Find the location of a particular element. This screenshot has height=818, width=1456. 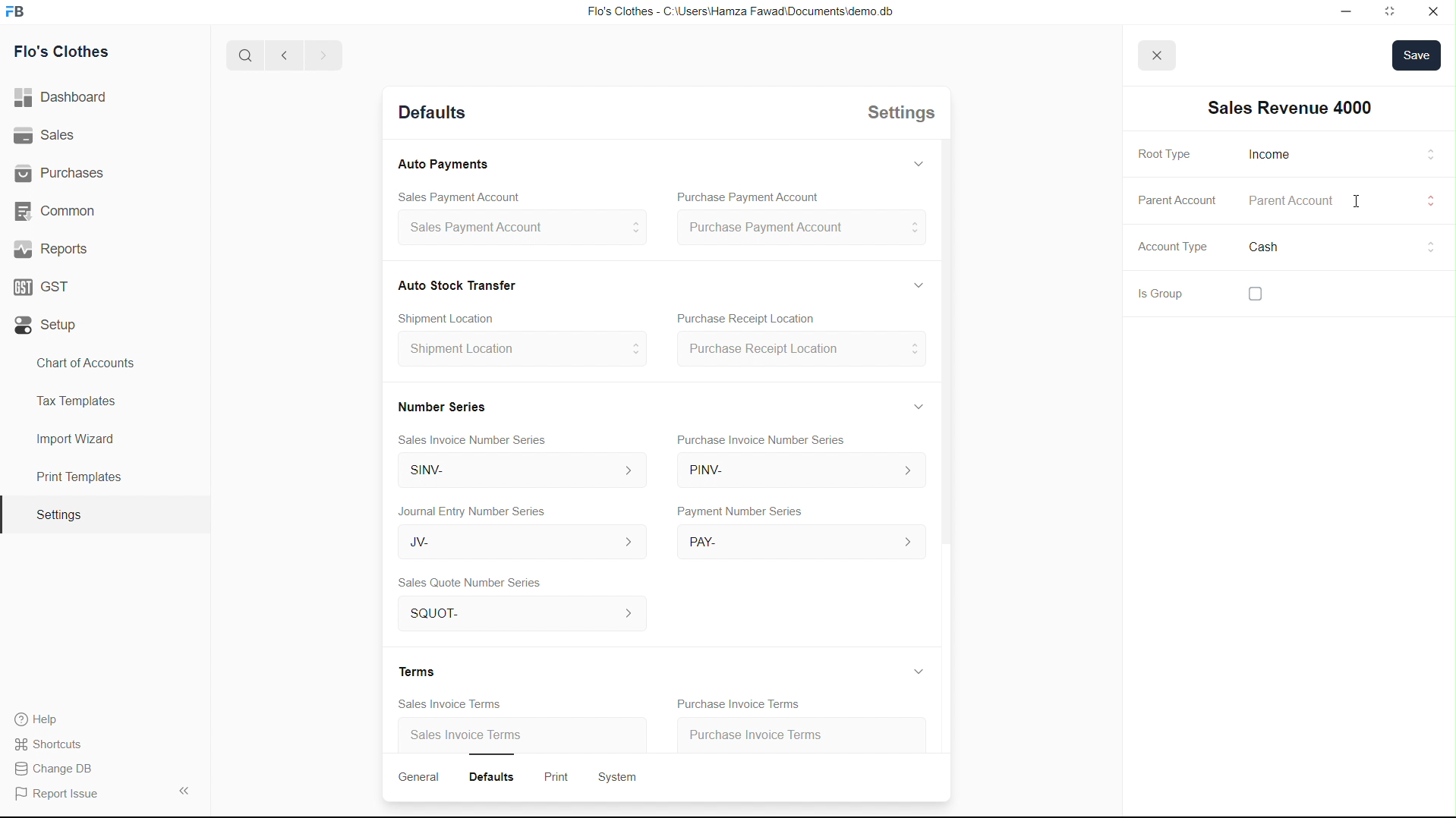

Sales is located at coordinates (48, 136).